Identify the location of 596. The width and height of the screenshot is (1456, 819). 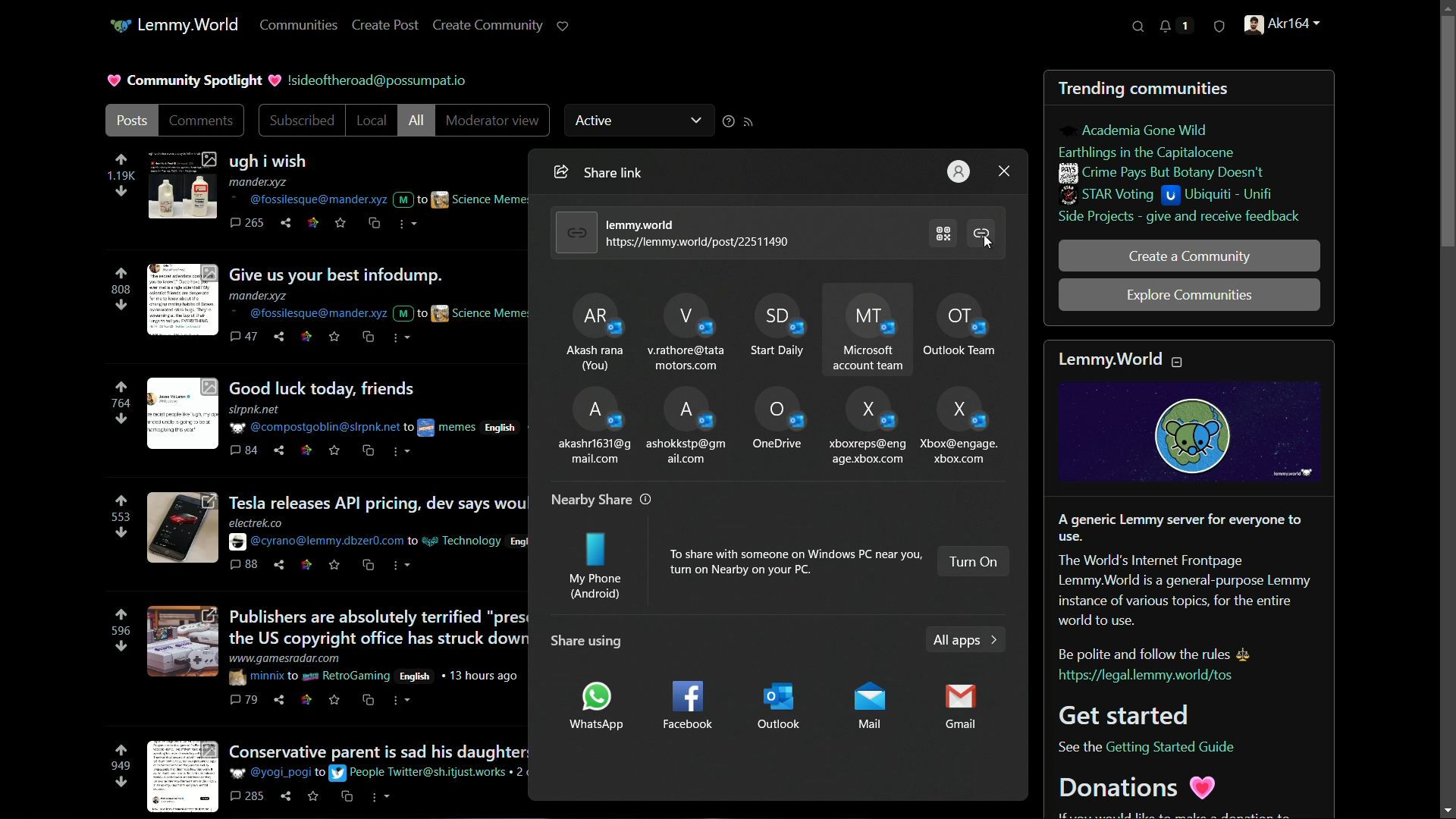
(119, 632).